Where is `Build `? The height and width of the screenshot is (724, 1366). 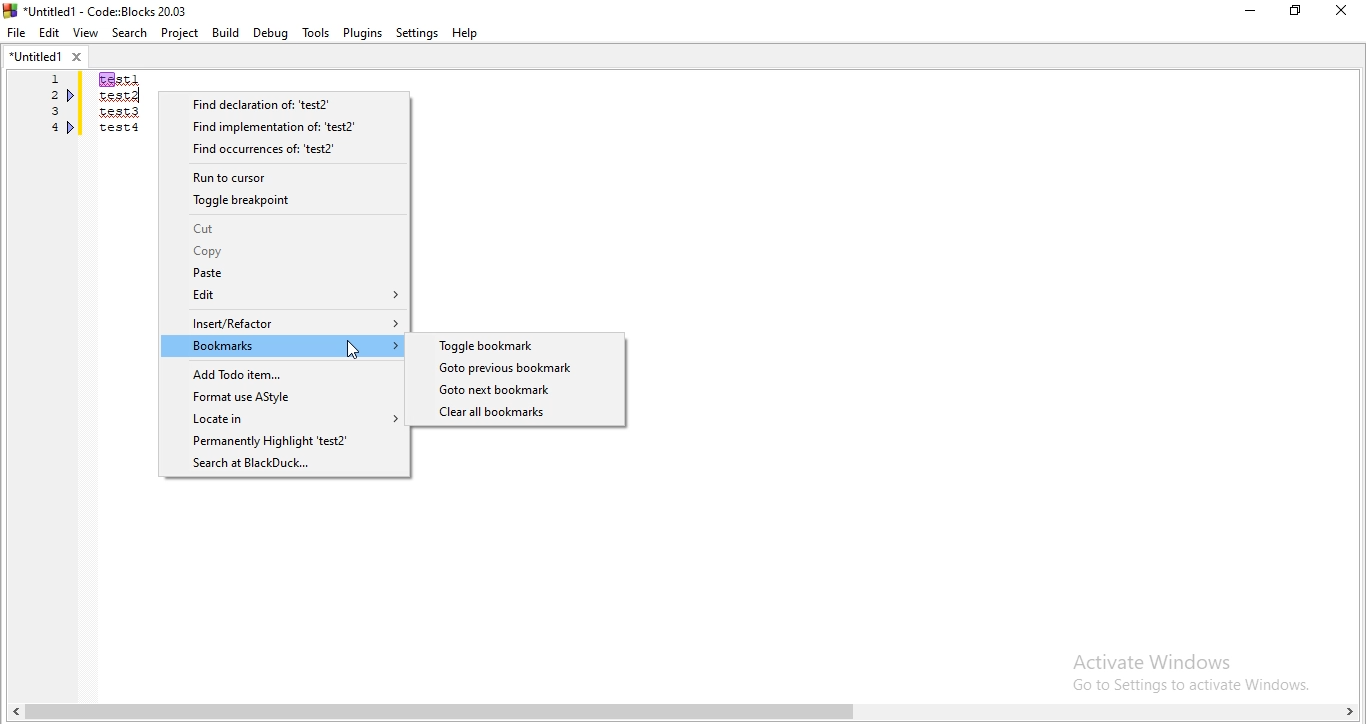
Build  is located at coordinates (224, 33).